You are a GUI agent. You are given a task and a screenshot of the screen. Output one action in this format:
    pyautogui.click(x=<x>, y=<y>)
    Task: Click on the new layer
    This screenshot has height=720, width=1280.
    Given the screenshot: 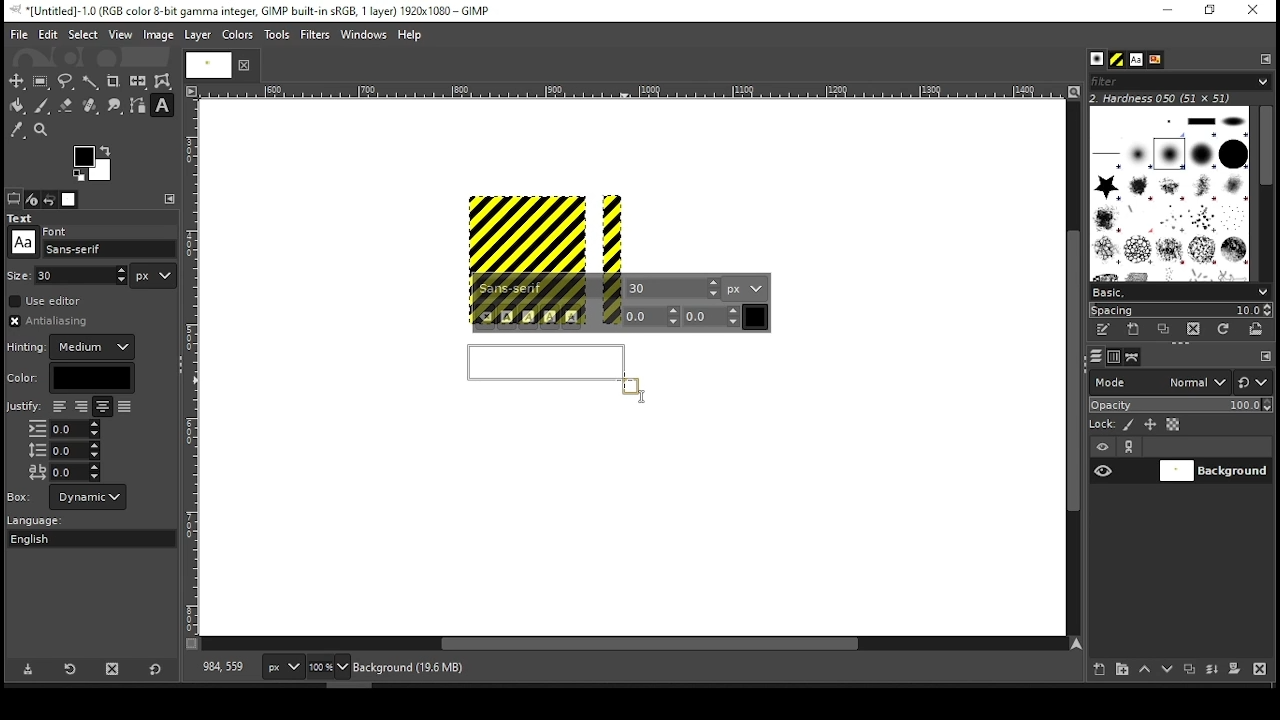 What is the action you would take?
    pyautogui.click(x=1095, y=667)
    